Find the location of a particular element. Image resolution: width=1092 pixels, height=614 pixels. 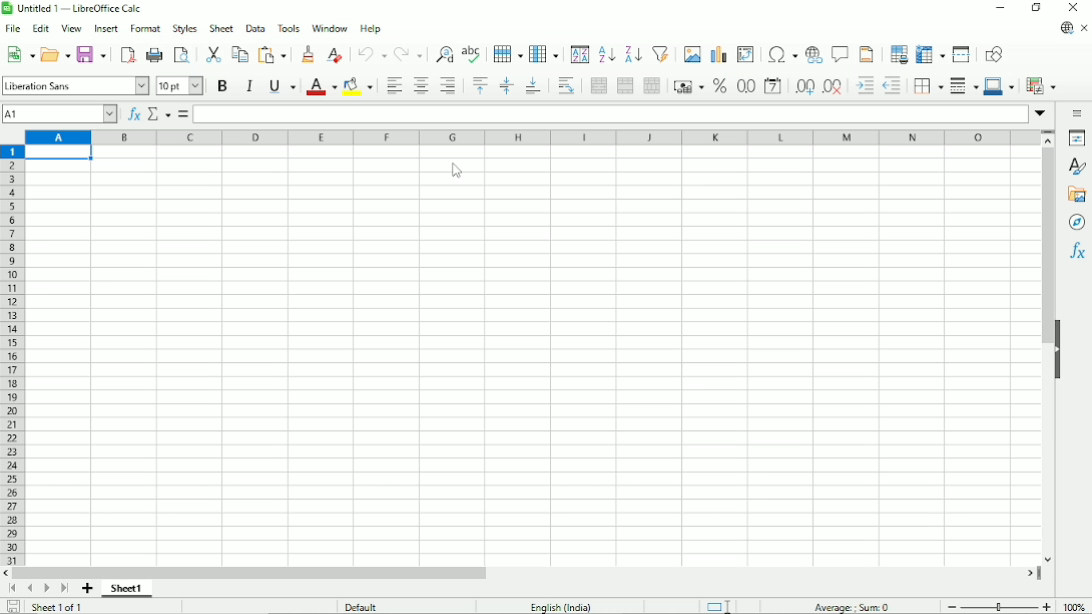

Align center is located at coordinates (420, 87).